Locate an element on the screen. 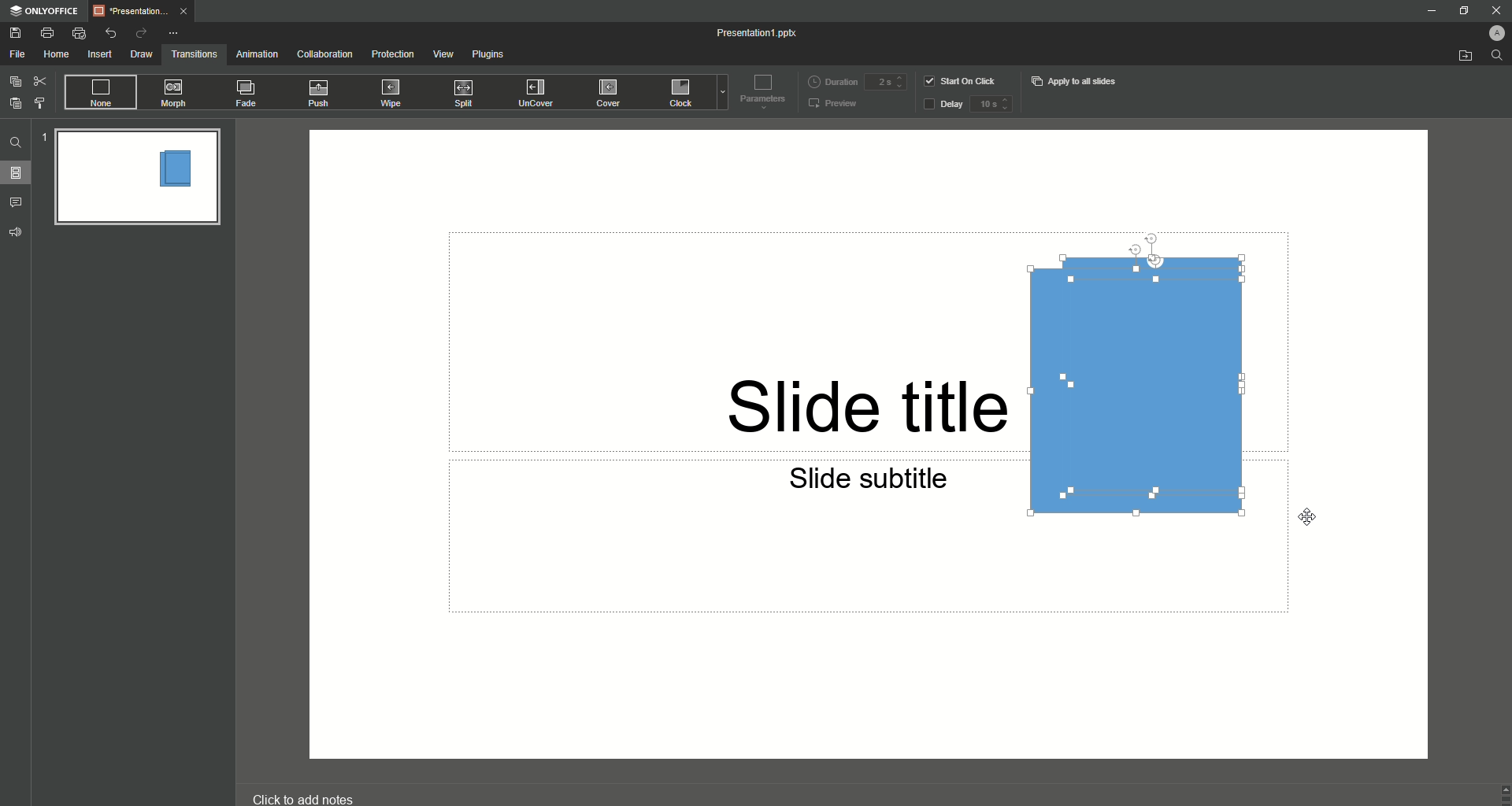  Home is located at coordinates (57, 55).